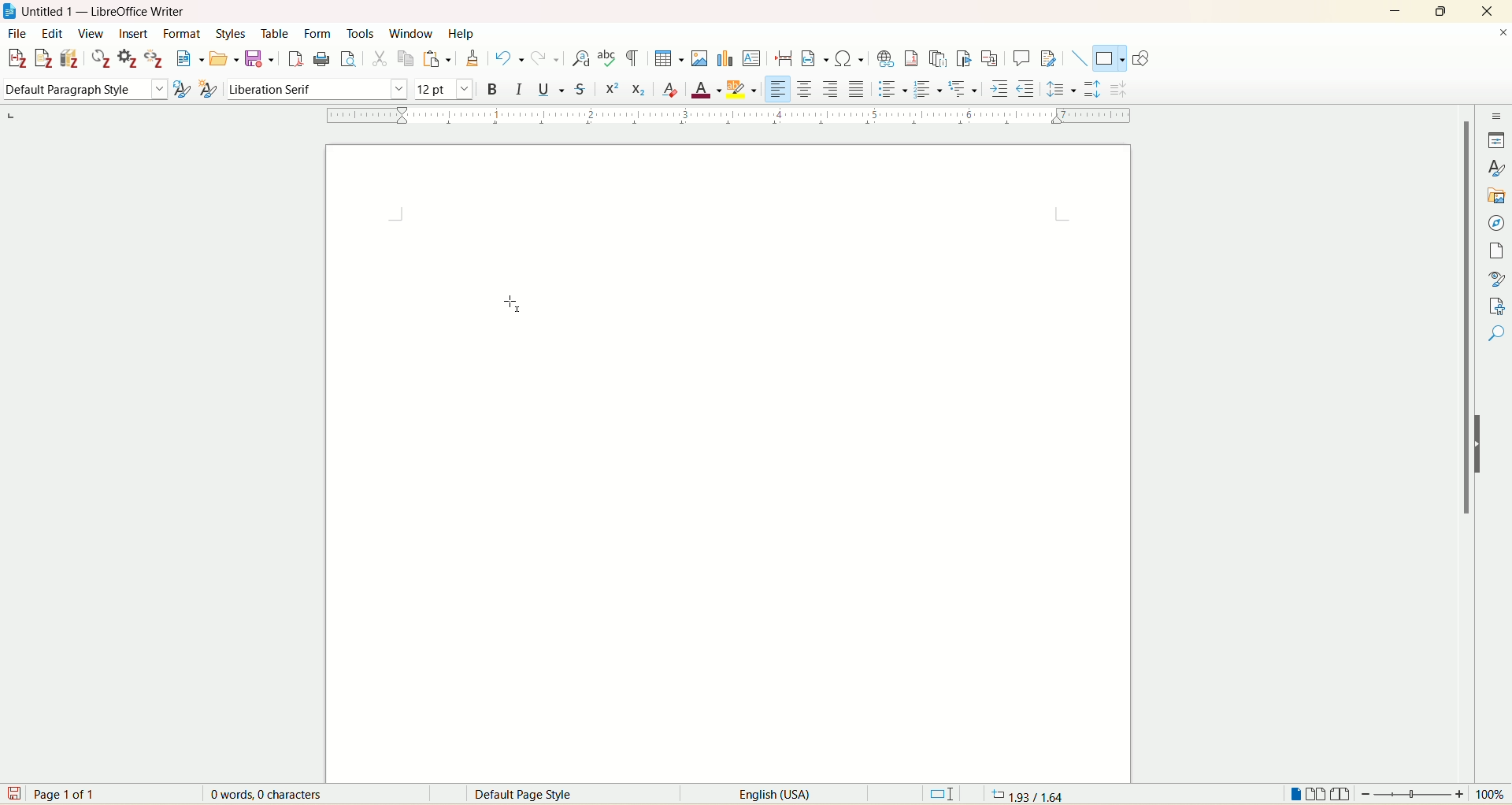 The image size is (1512, 805). I want to click on document name, so click(112, 12).